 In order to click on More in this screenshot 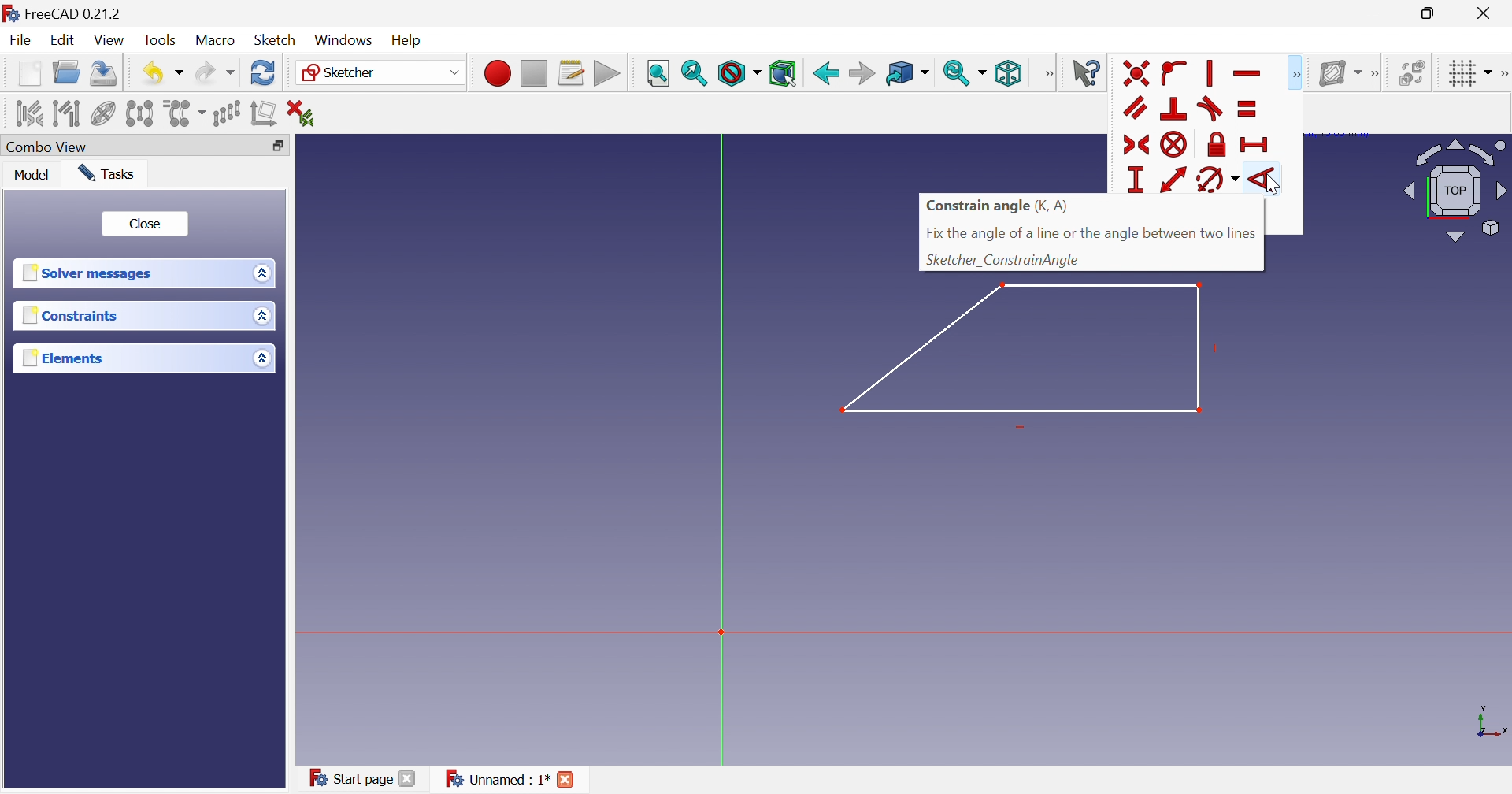, I will do `click(1298, 72)`.